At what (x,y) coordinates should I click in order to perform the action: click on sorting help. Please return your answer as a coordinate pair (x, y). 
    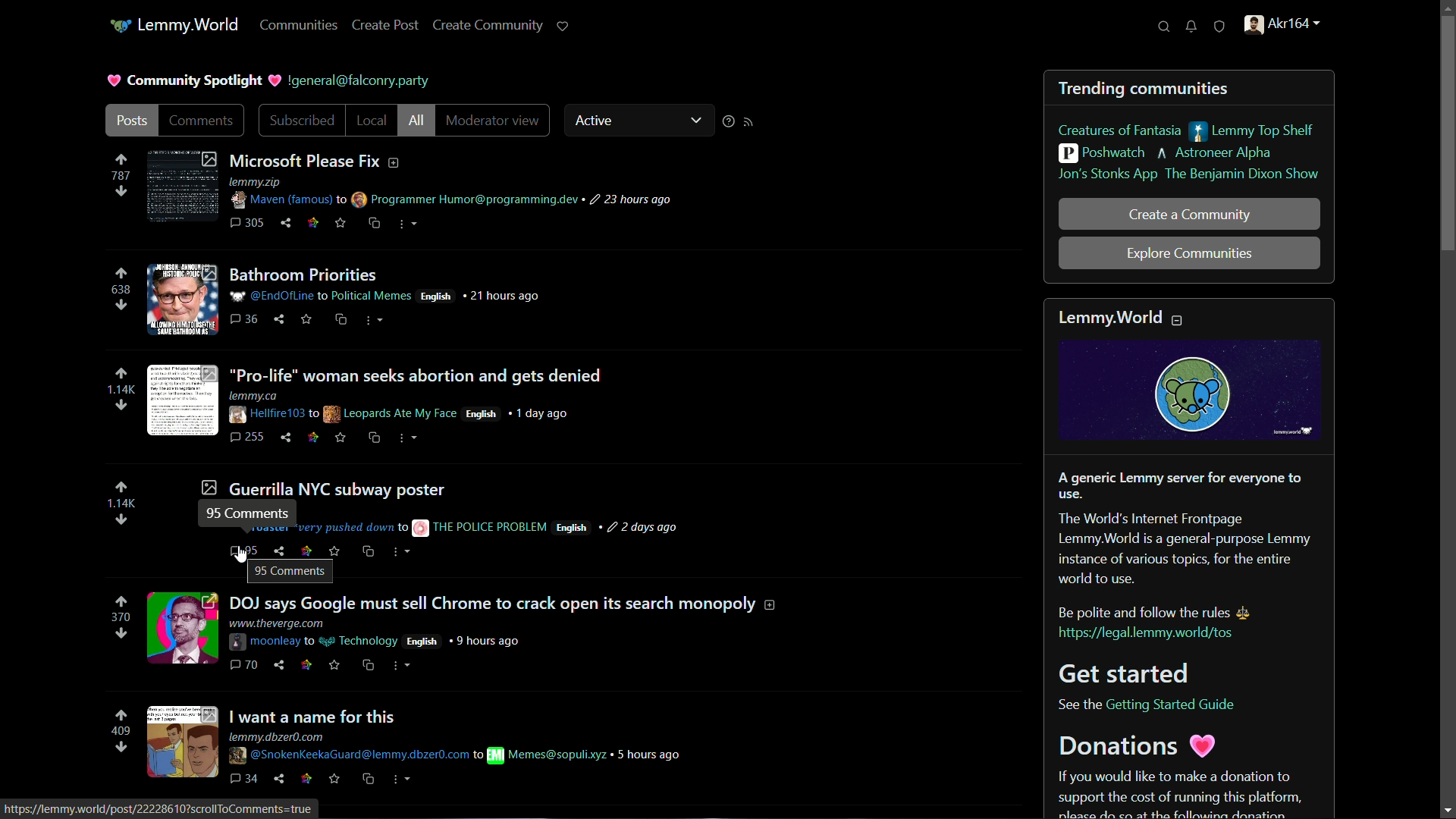
    Looking at the image, I should click on (725, 121).